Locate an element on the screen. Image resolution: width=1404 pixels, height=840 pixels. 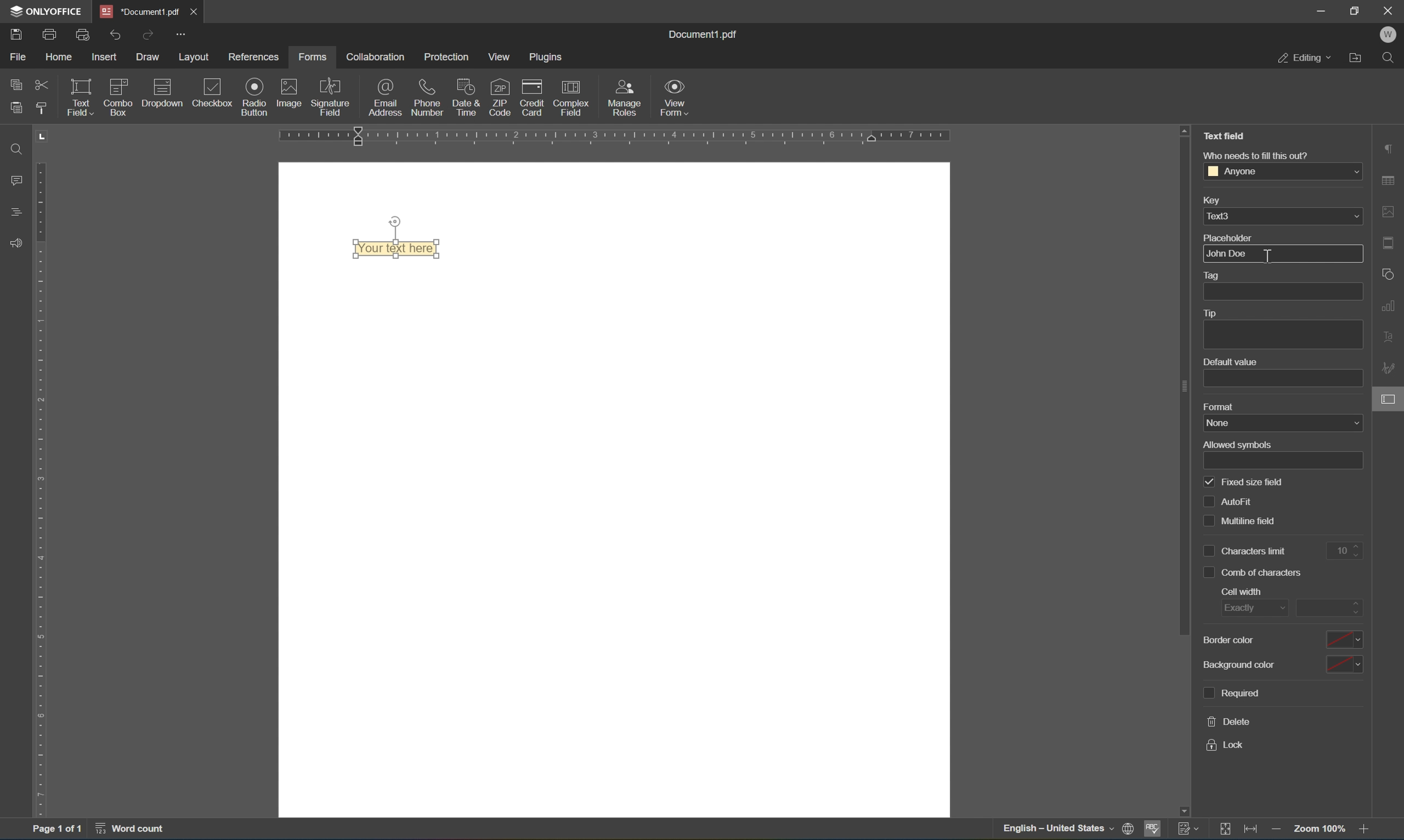
exactly is located at coordinates (1246, 607).